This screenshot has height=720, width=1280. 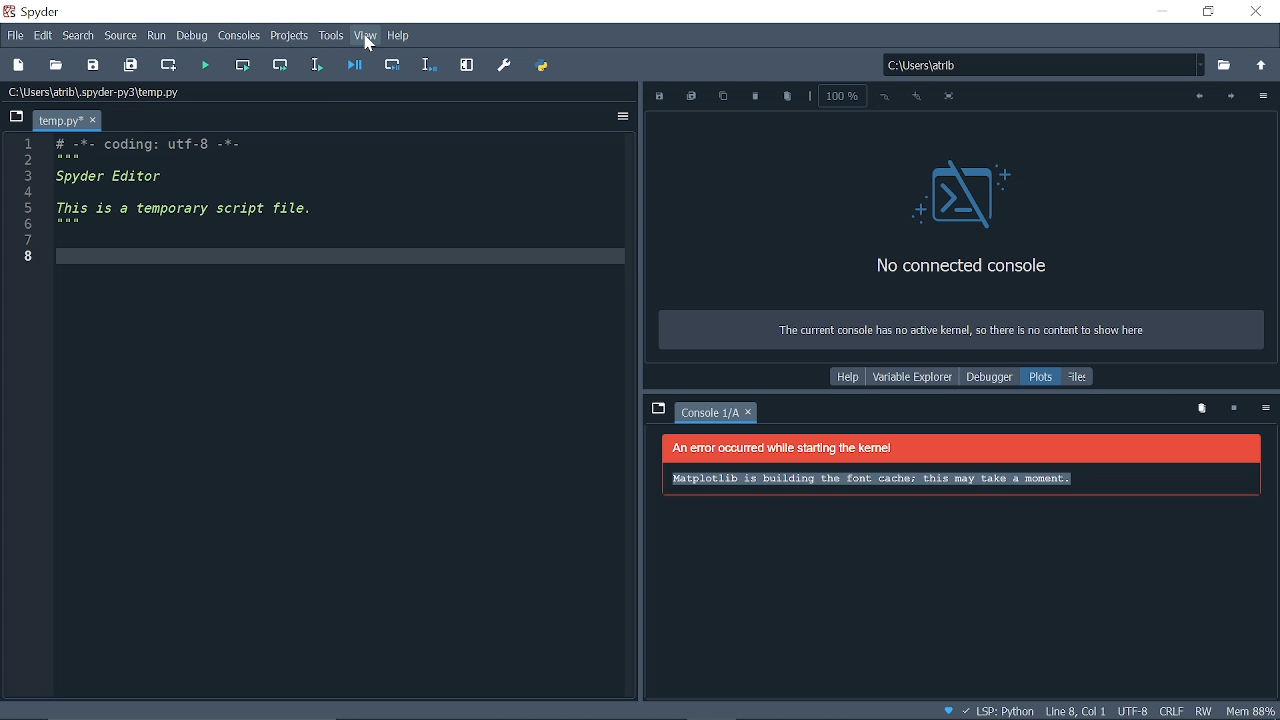 I want to click on Save all plot , so click(x=692, y=97).